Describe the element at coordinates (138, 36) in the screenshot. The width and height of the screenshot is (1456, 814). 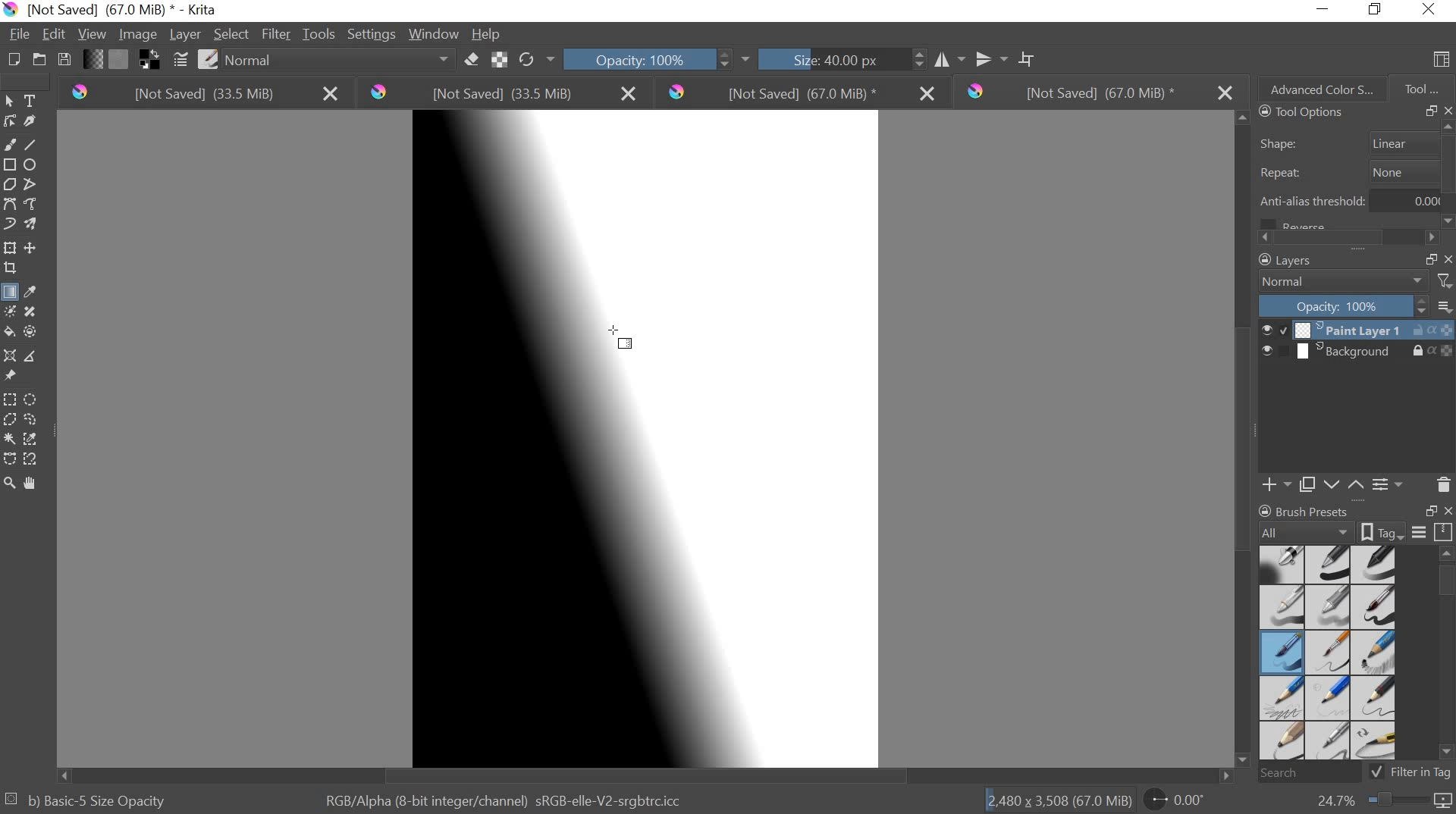
I see `IMAGE` at that location.